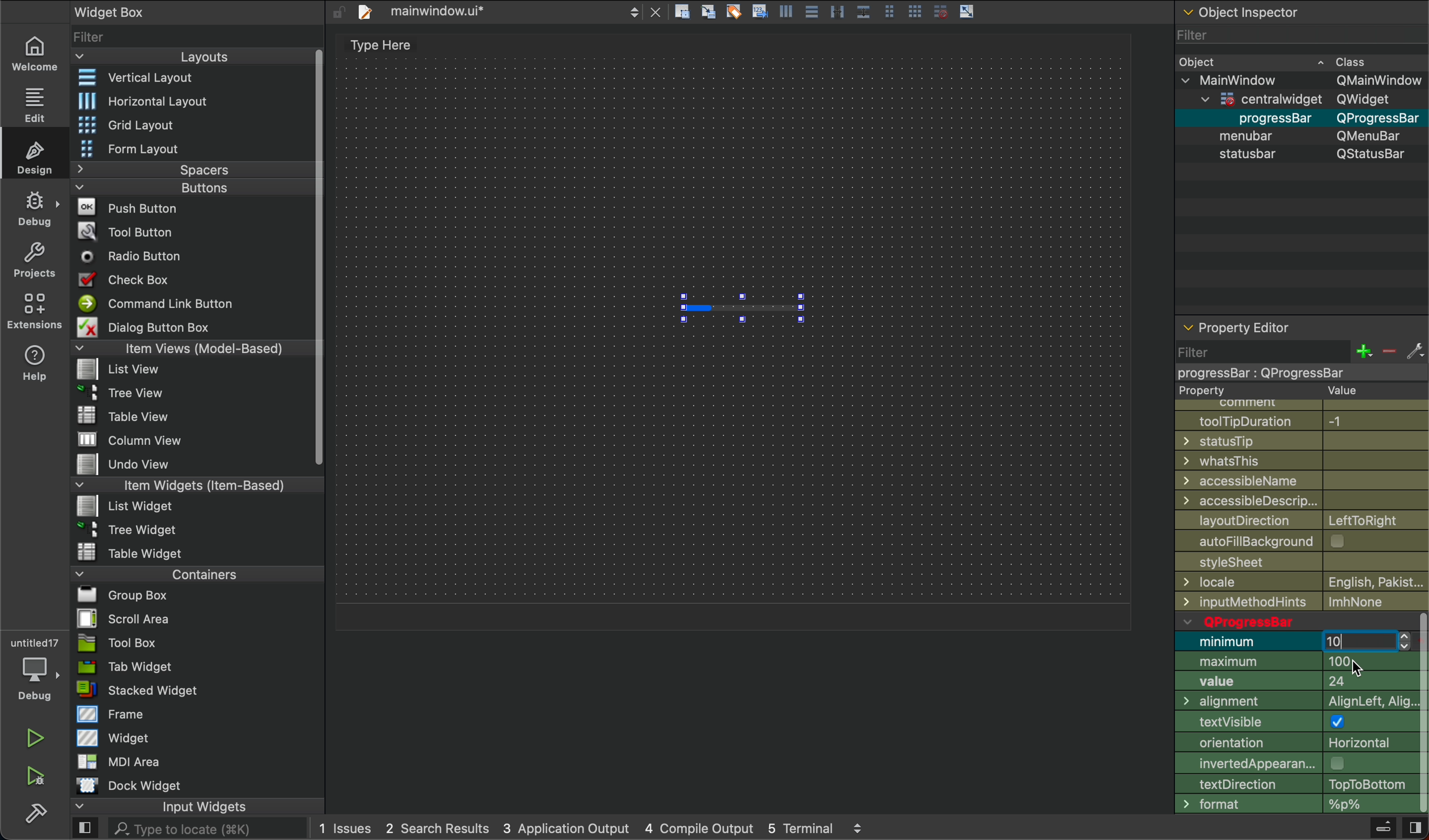 The width and height of the screenshot is (1429, 840). Describe the element at coordinates (132, 206) in the screenshot. I see `Push Button` at that location.